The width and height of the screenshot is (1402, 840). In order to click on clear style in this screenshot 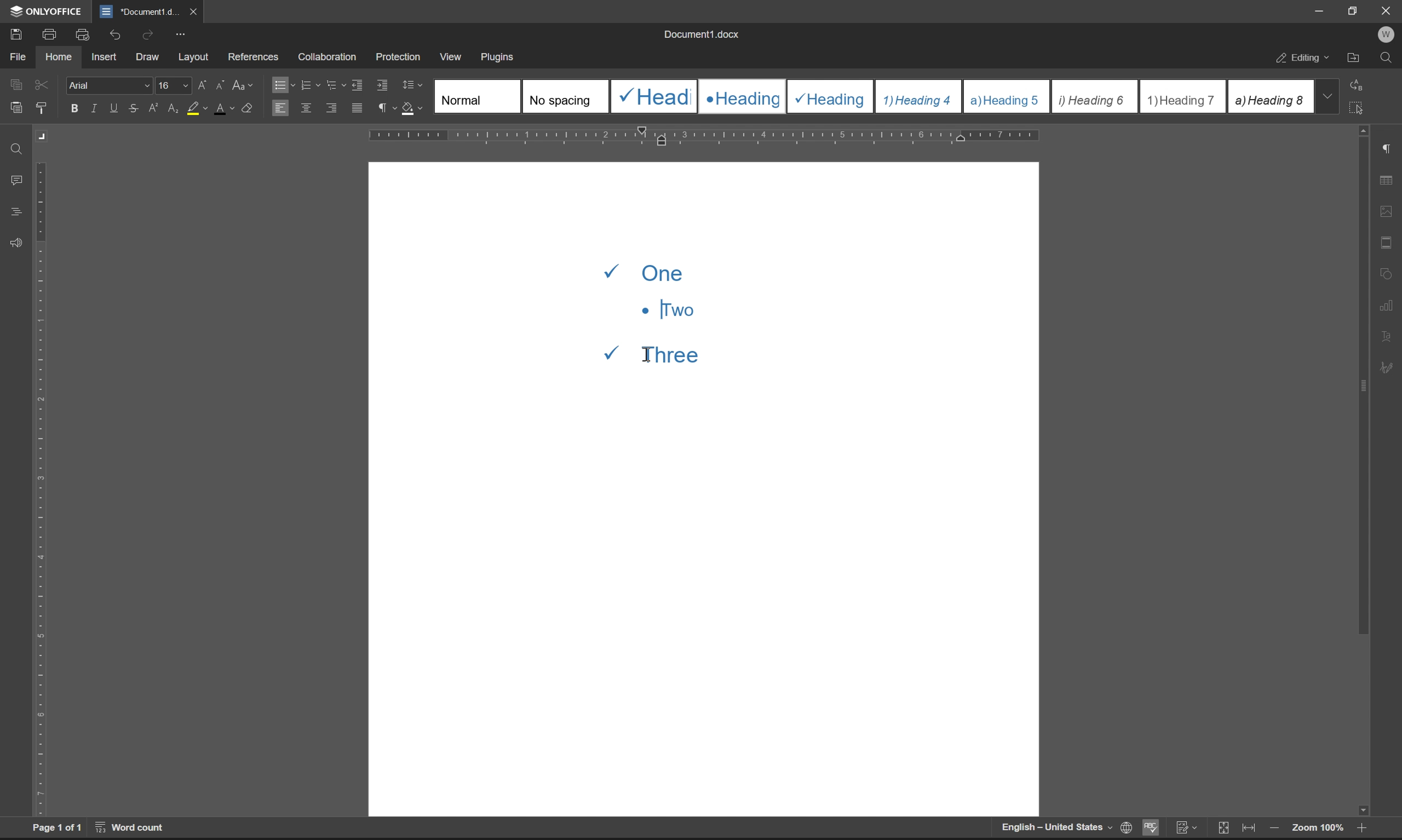, I will do `click(248, 106)`.